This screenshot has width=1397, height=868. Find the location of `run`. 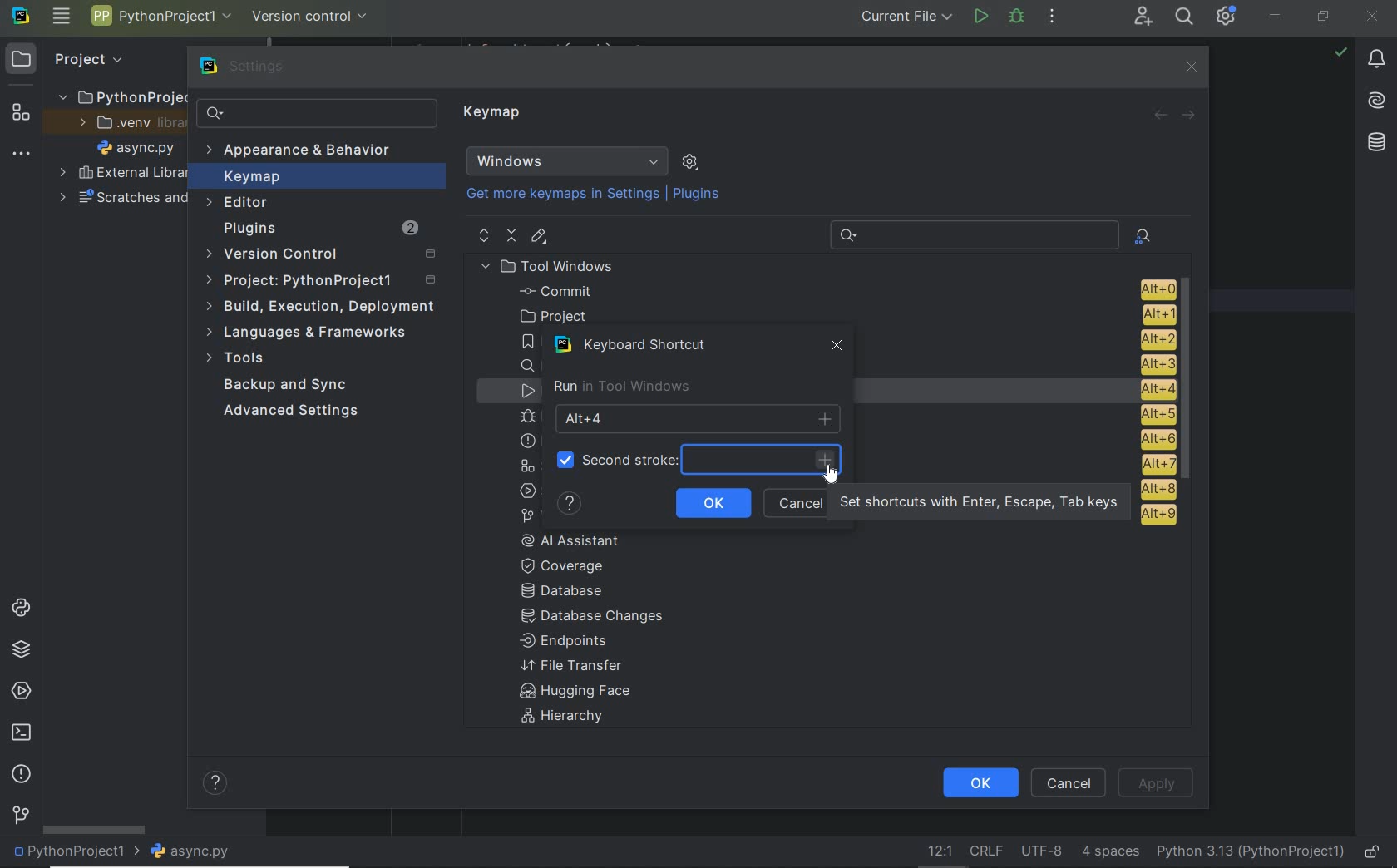

run is located at coordinates (980, 18).